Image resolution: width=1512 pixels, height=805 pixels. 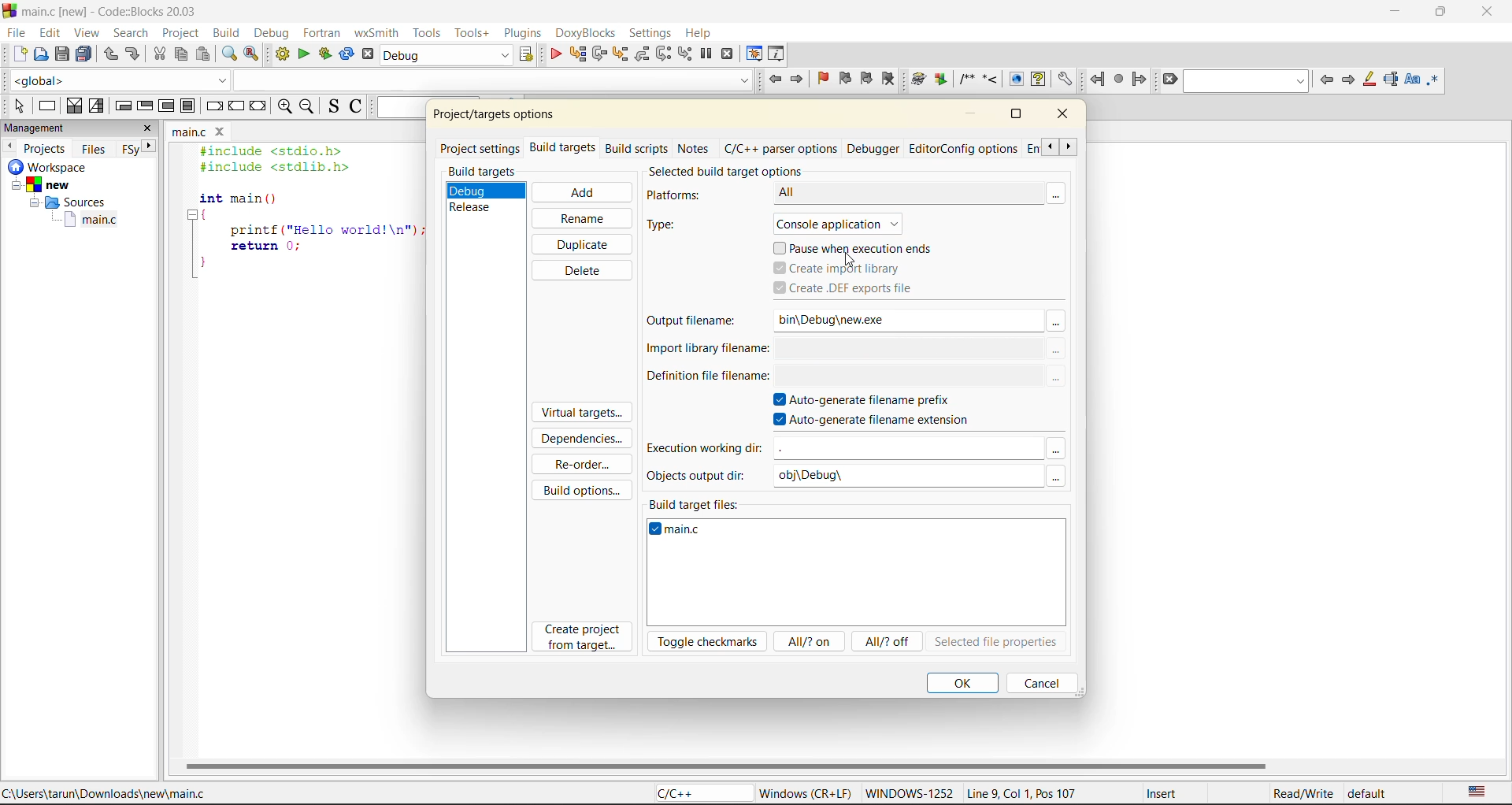 I want to click on entry condition loop, so click(x=125, y=106).